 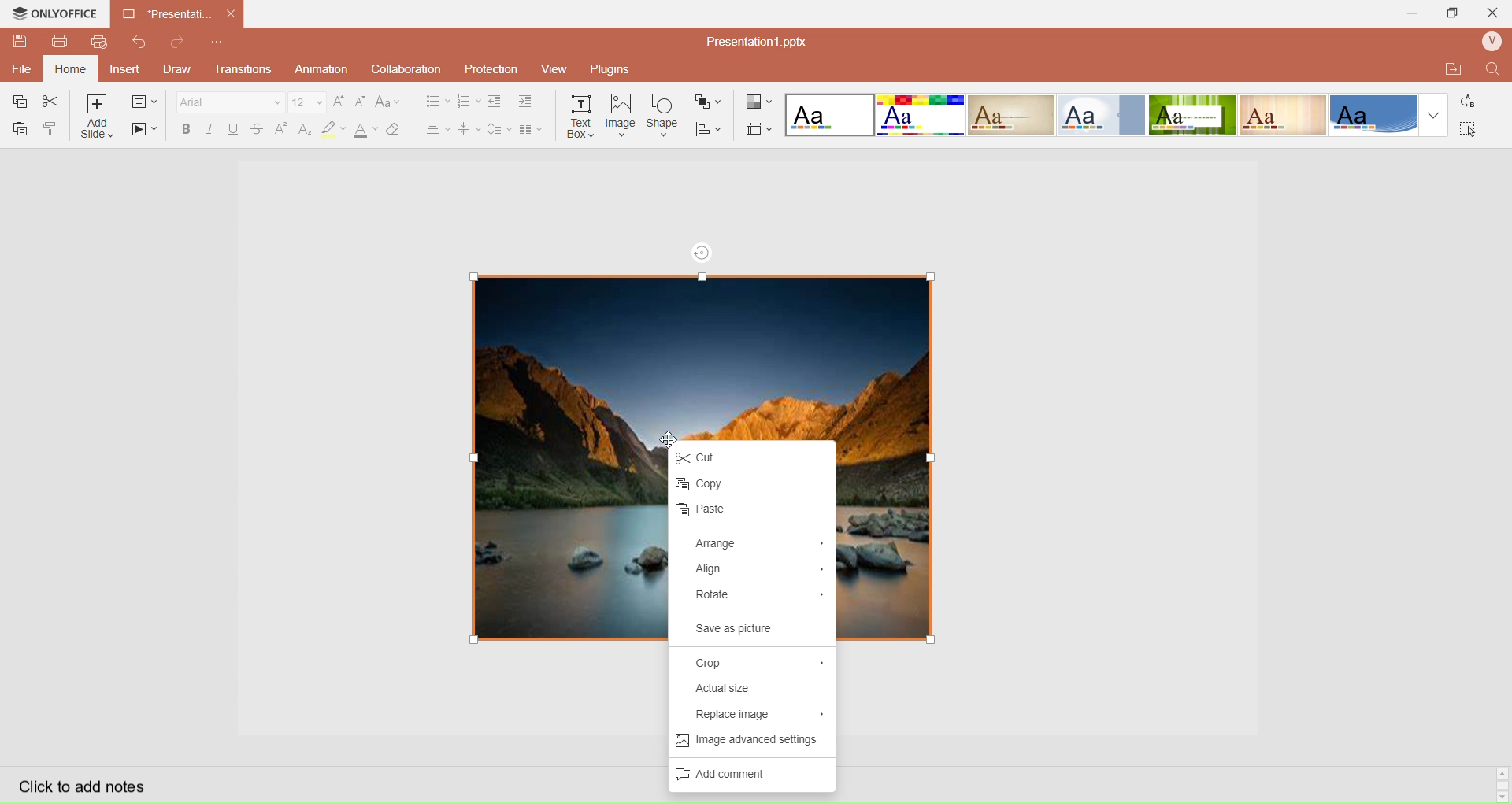 I want to click on Redo, so click(x=177, y=43).